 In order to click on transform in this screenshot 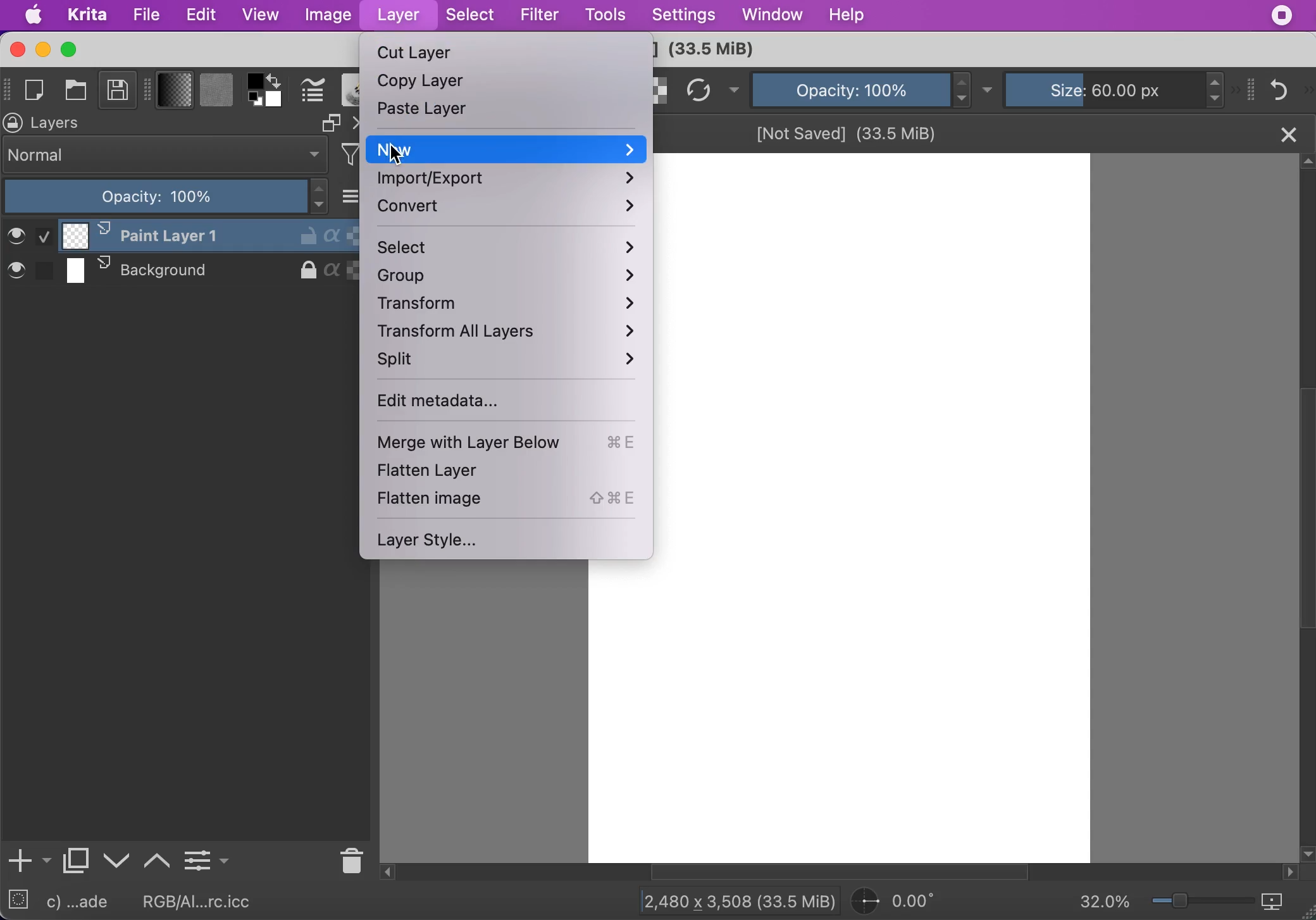, I will do `click(512, 306)`.